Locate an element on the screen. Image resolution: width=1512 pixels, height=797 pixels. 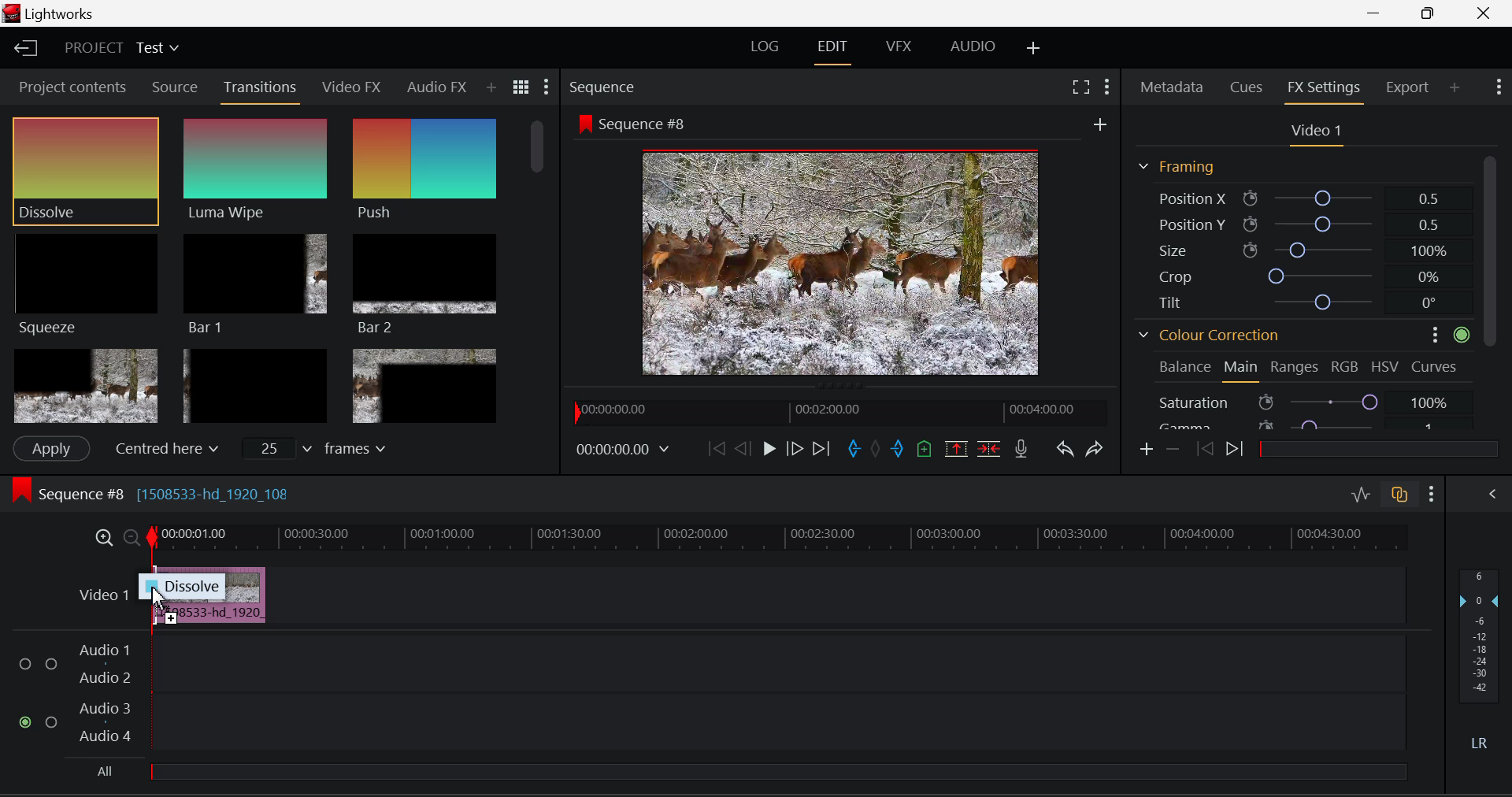
Centered here is located at coordinates (166, 447).